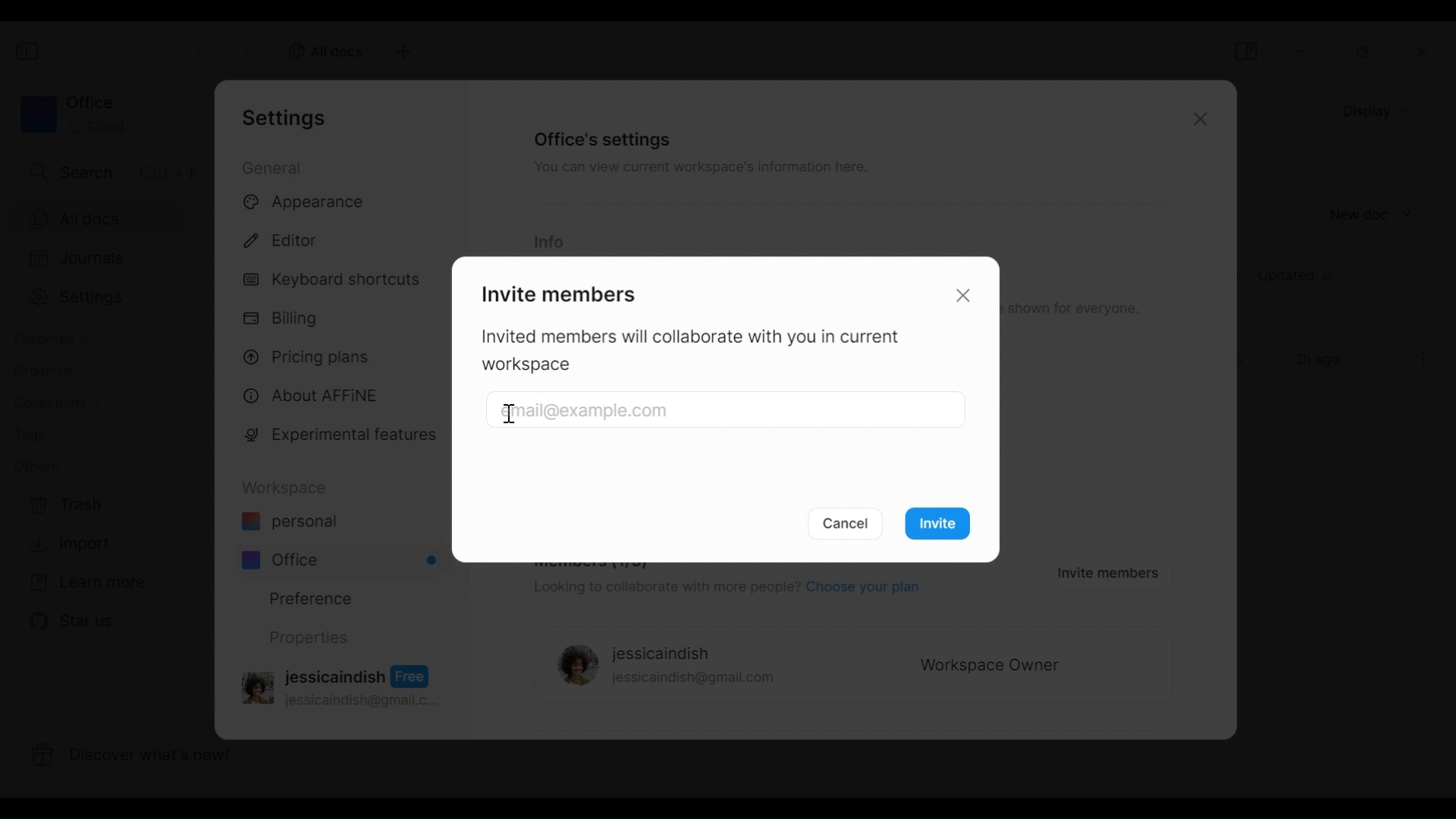 This screenshot has height=819, width=1456. Describe the element at coordinates (694, 679) in the screenshot. I see `jessicaindish@gmail.com` at that location.